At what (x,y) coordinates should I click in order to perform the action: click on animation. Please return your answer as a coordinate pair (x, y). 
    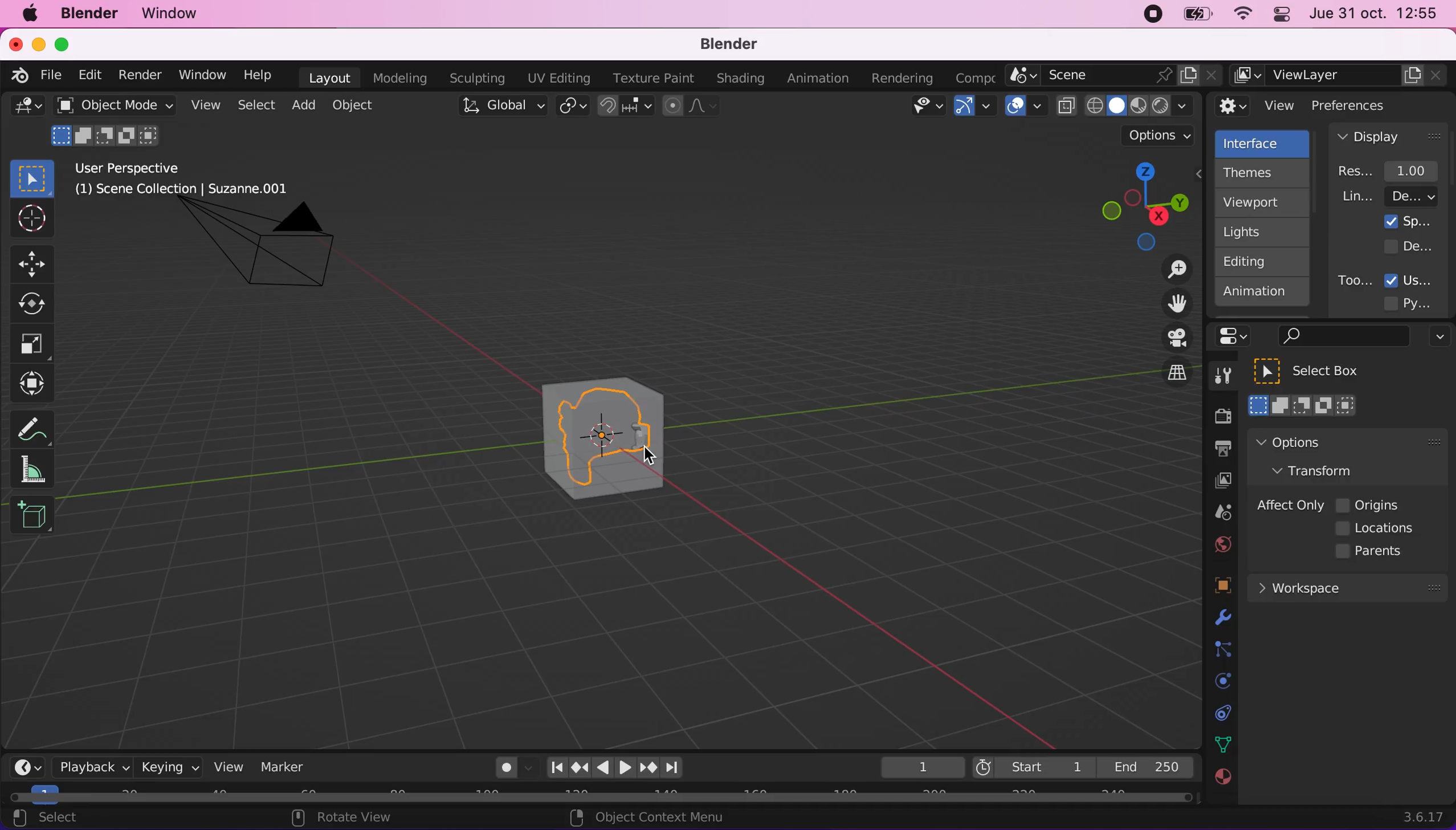
    Looking at the image, I should click on (1263, 295).